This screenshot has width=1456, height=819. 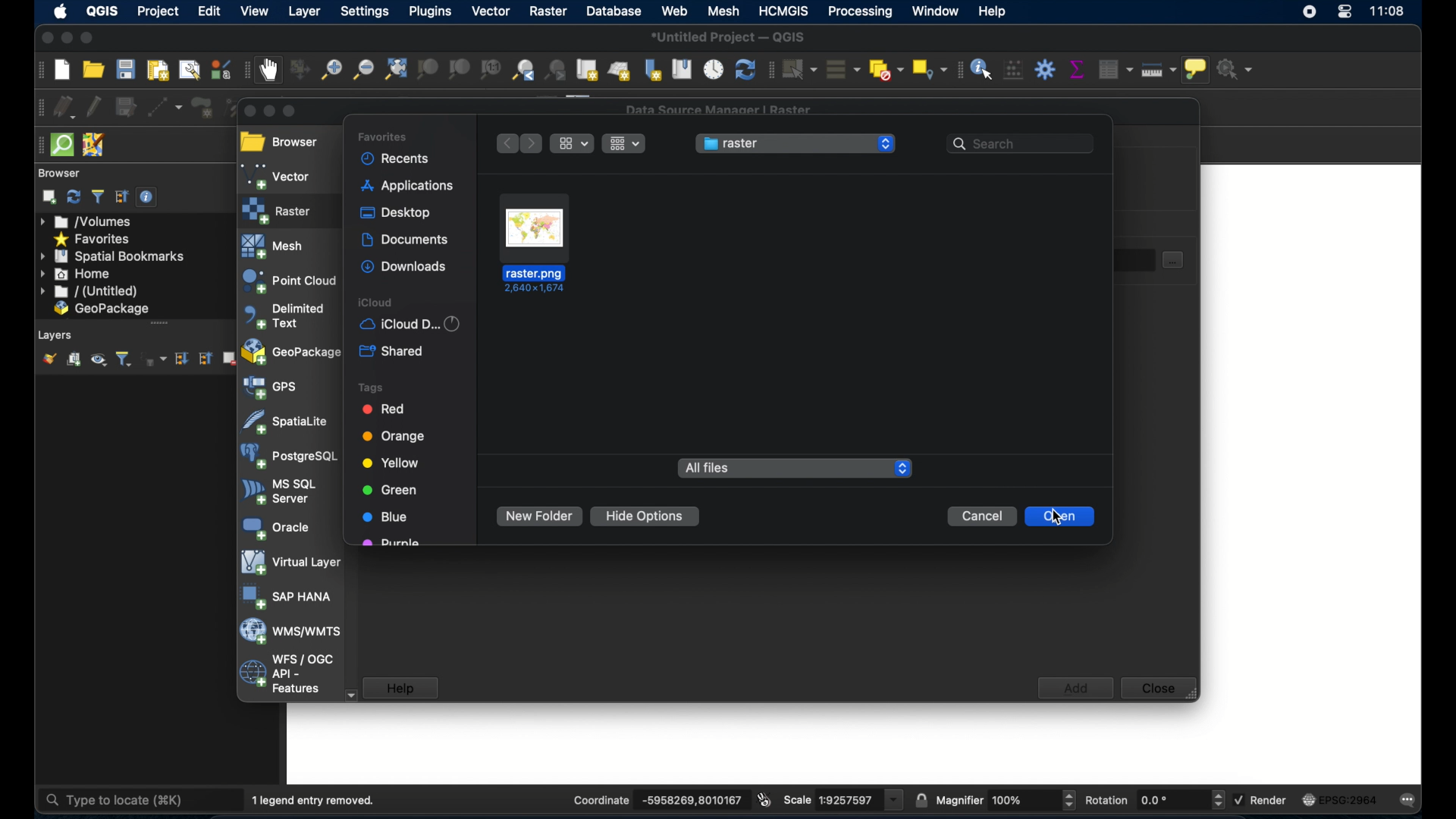 What do you see at coordinates (35, 145) in the screenshot?
I see `drag handle` at bounding box center [35, 145].